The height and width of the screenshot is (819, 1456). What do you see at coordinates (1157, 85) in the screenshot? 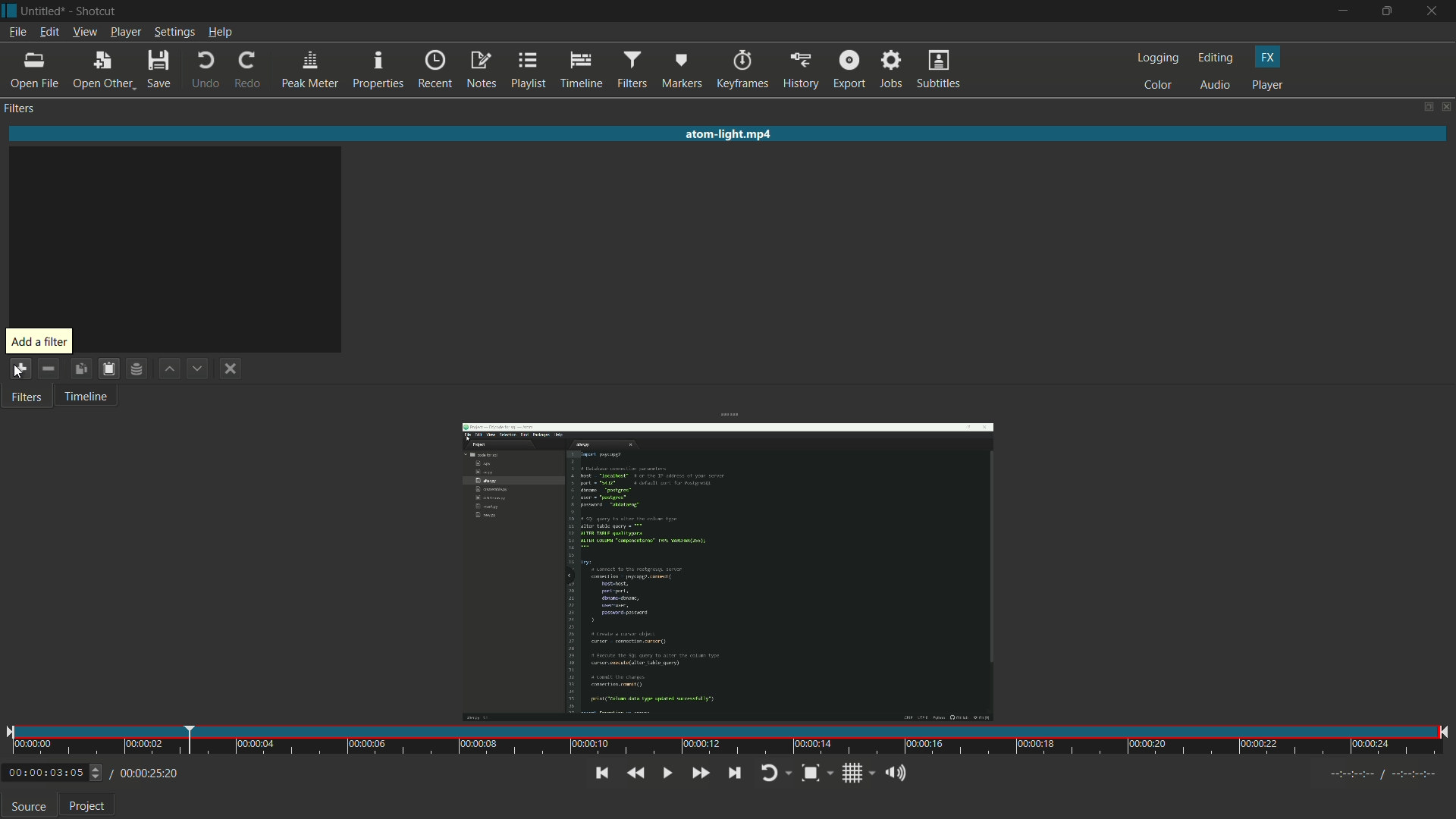
I see `color` at bounding box center [1157, 85].